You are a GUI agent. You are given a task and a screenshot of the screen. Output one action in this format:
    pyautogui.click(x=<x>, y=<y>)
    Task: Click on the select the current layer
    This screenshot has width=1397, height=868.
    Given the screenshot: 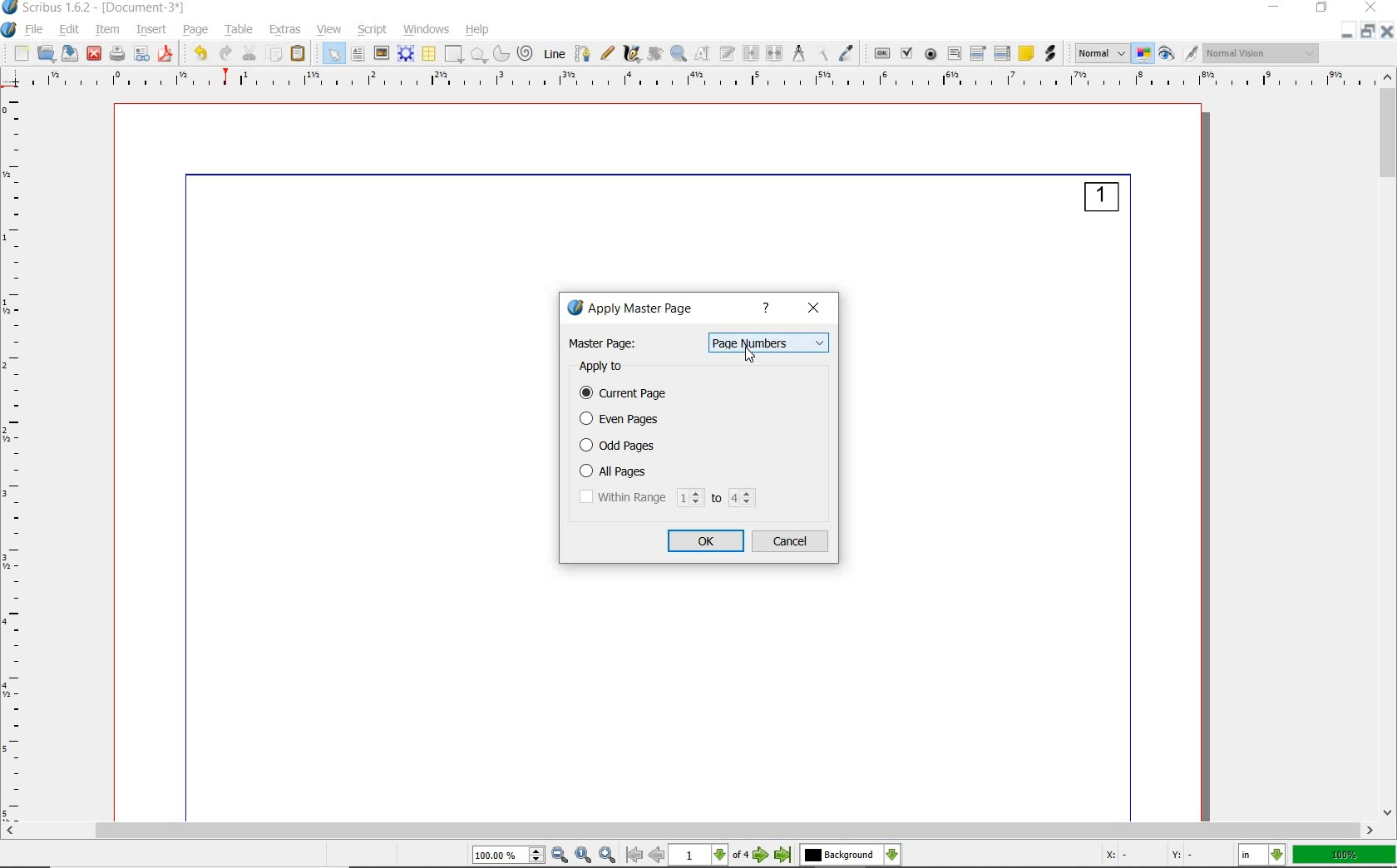 What is the action you would take?
    pyautogui.click(x=851, y=856)
    